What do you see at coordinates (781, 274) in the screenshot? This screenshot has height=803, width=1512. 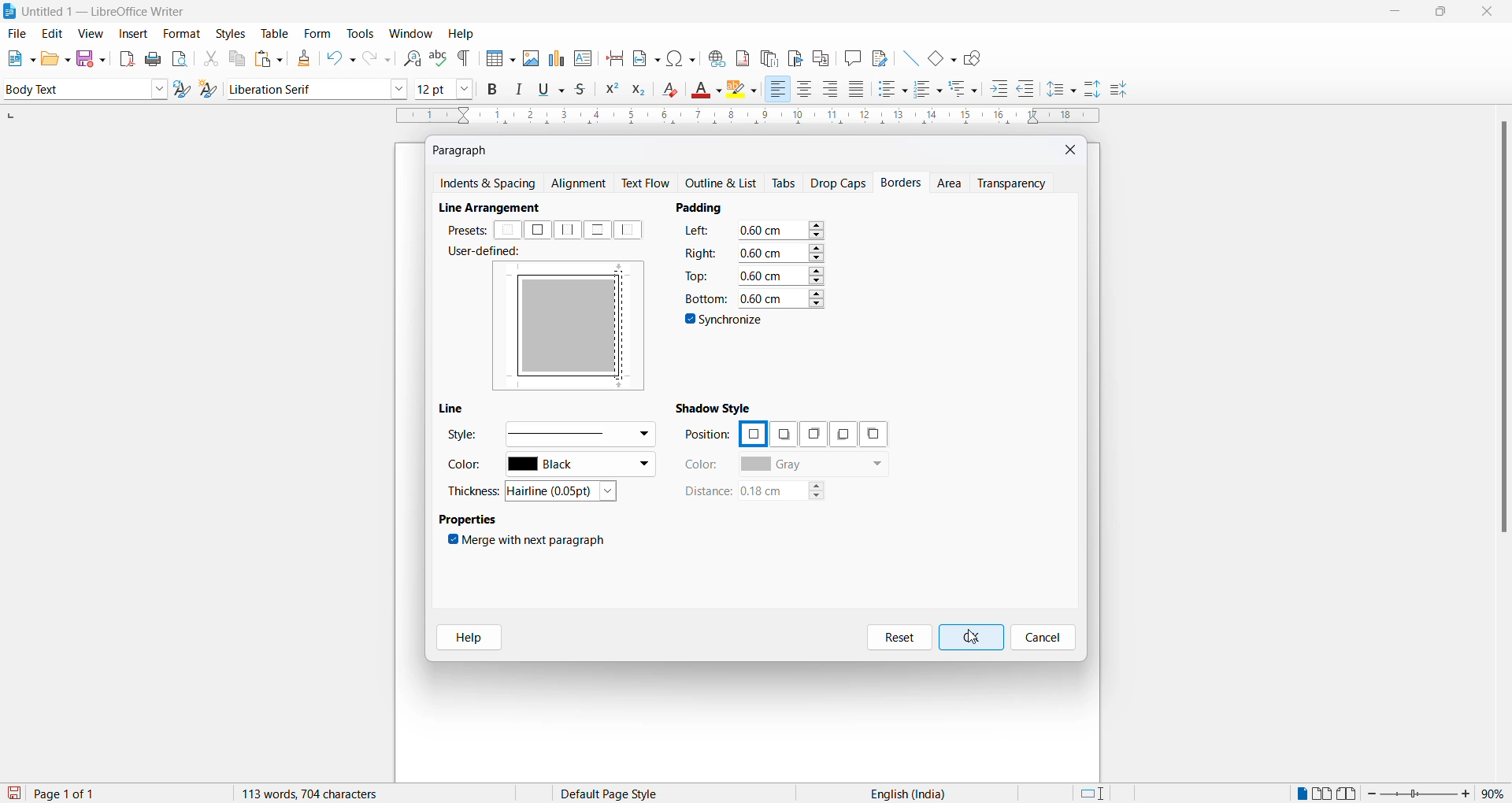 I see `value` at bounding box center [781, 274].